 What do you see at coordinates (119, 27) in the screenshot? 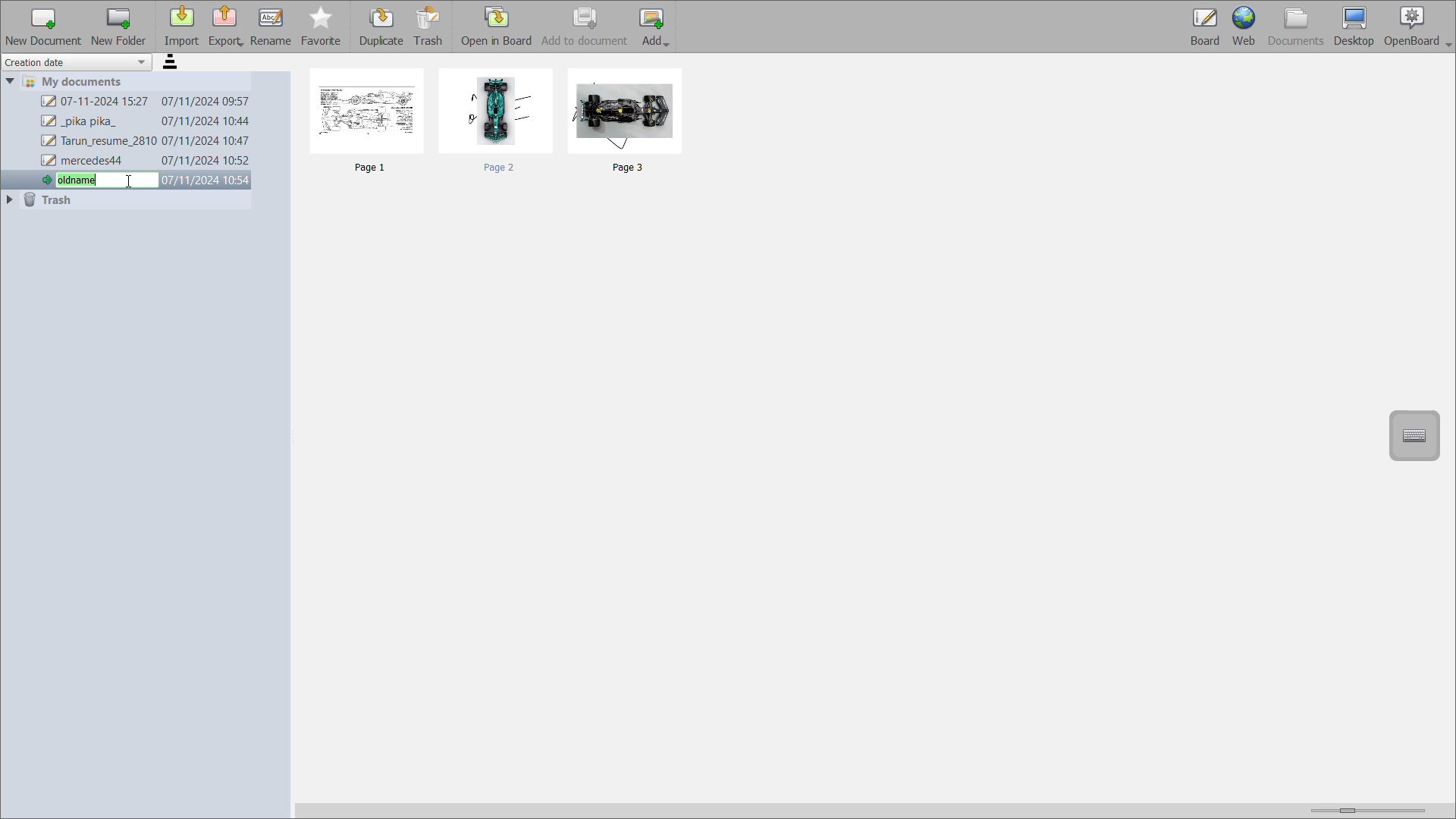
I see `new folder` at bounding box center [119, 27].